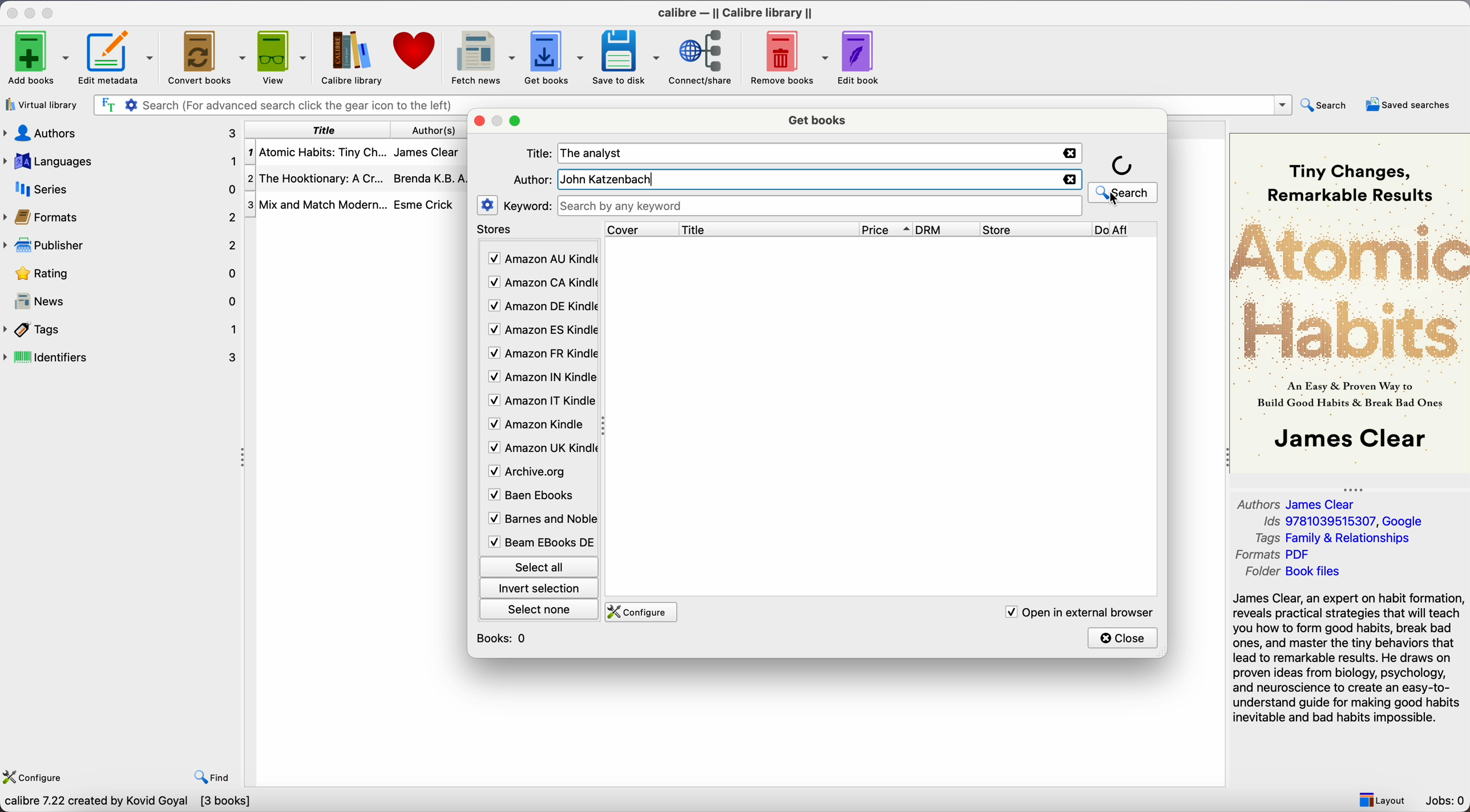 The height and width of the screenshot is (812, 1470). I want to click on Title:, so click(540, 153).